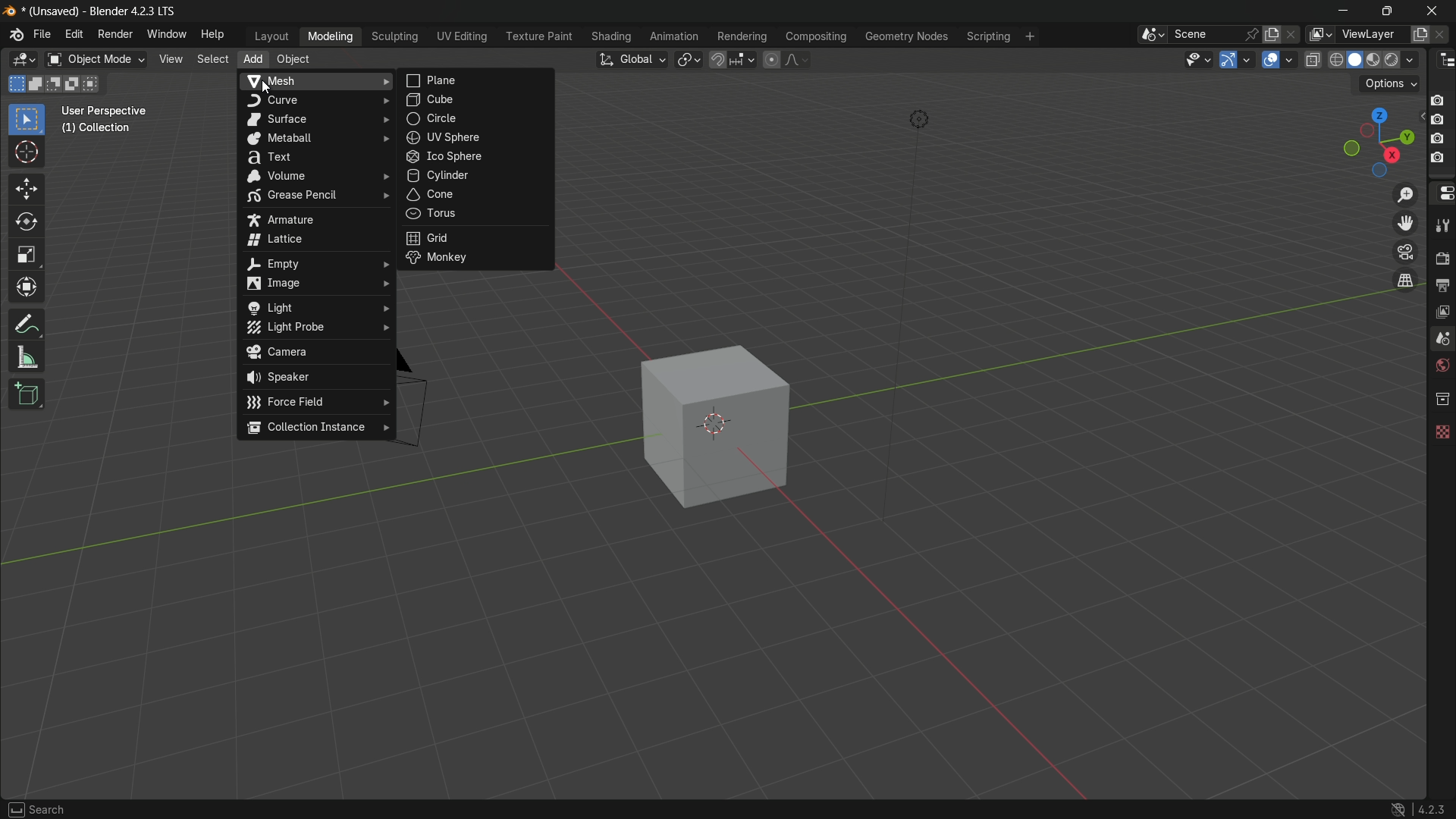 The width and height of the screenshot is (1456, 819). What do you see at coordinates (76, 83) in the screenshot?
I see `invert existing selection` at bounding box center [76, 83].